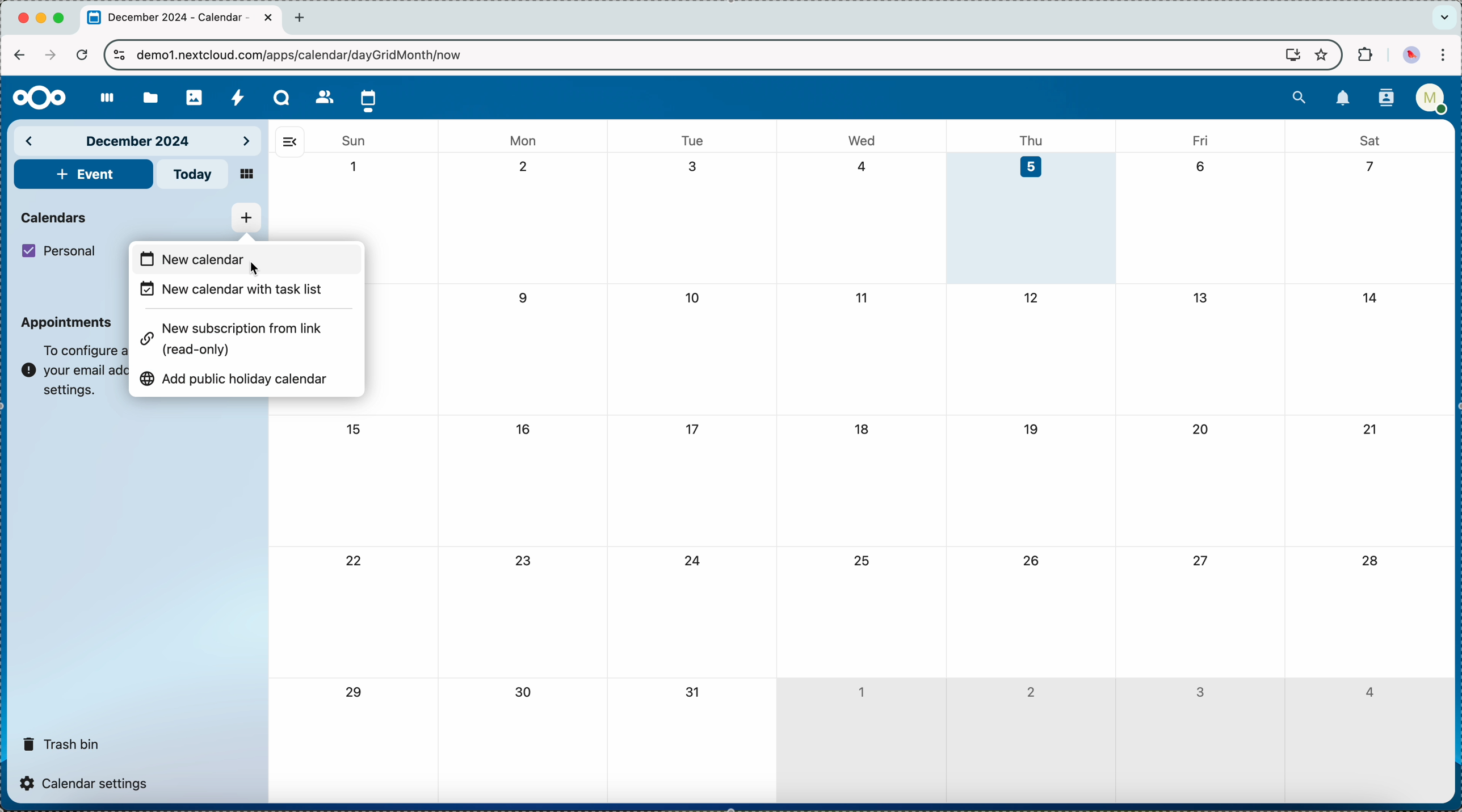 The image size is (1462, 812). What do you see at coordinates (1199, 140) in the screenshot?
I see `fri` at bounding box center [1199, 140].